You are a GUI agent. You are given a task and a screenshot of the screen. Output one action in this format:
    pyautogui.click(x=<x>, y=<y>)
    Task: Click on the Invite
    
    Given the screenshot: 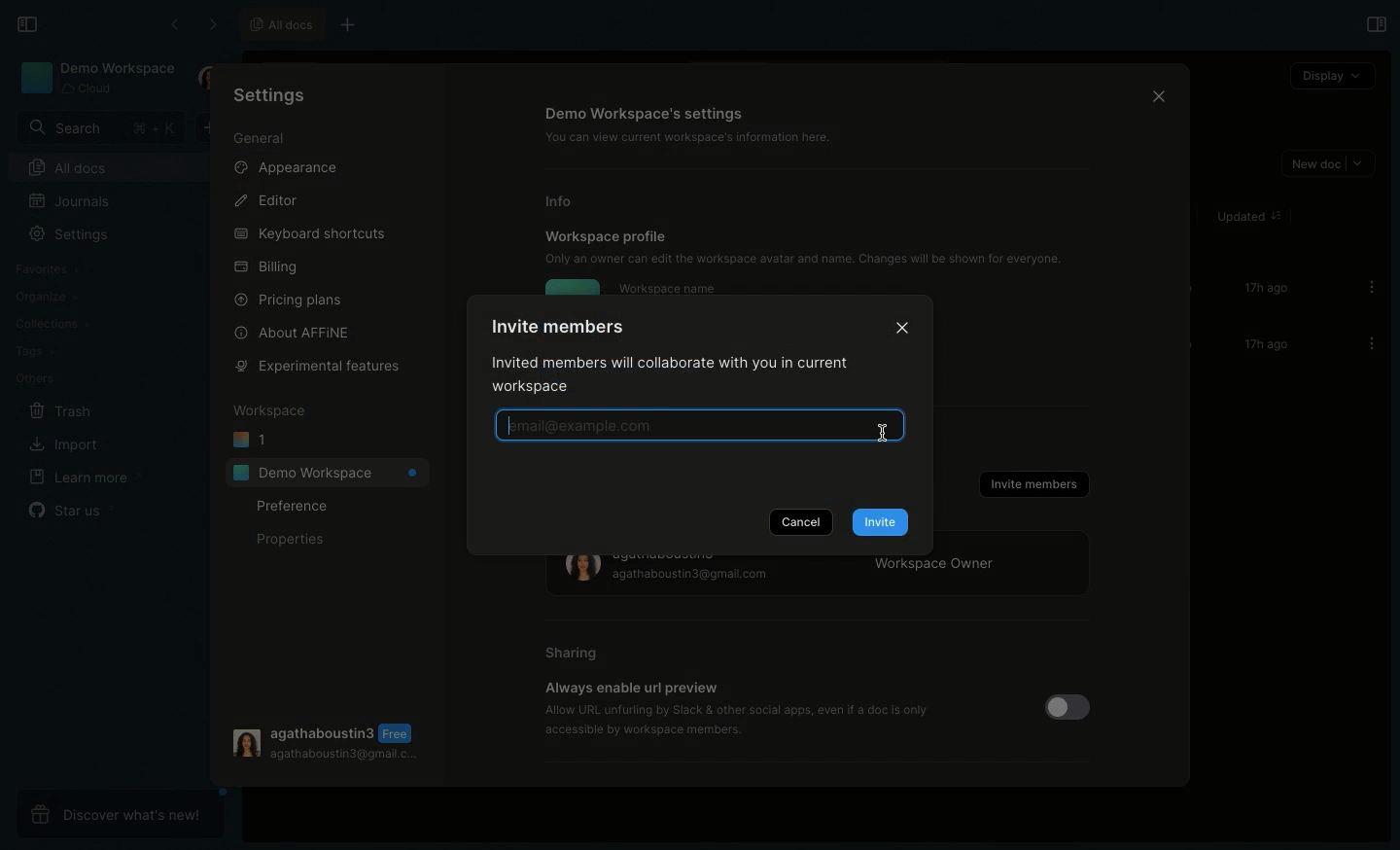 What is the action you would take?
    pyautogui.click(x=880, y=522)
    